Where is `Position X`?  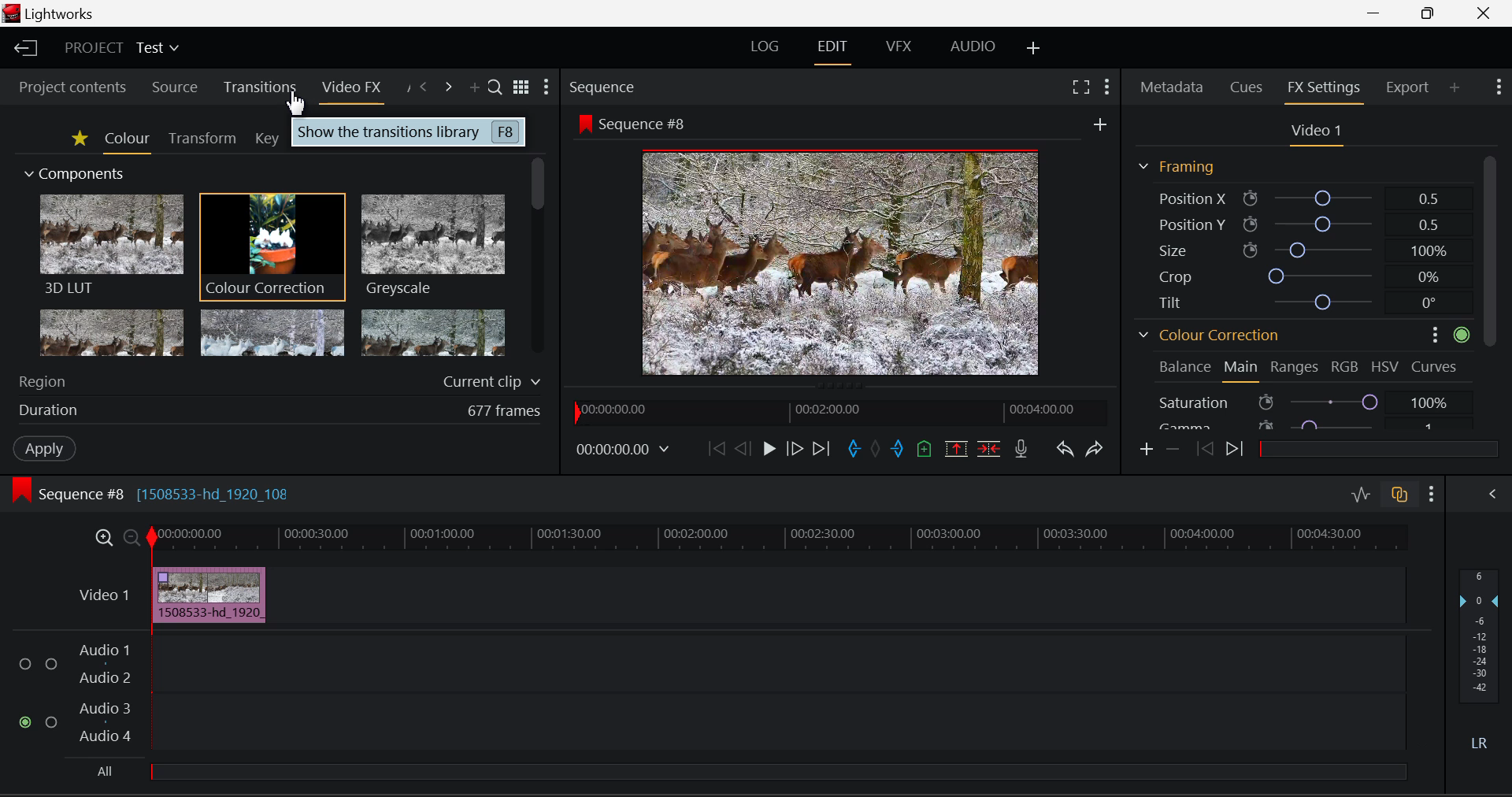
Position X is located at coordinates (1299, 198).